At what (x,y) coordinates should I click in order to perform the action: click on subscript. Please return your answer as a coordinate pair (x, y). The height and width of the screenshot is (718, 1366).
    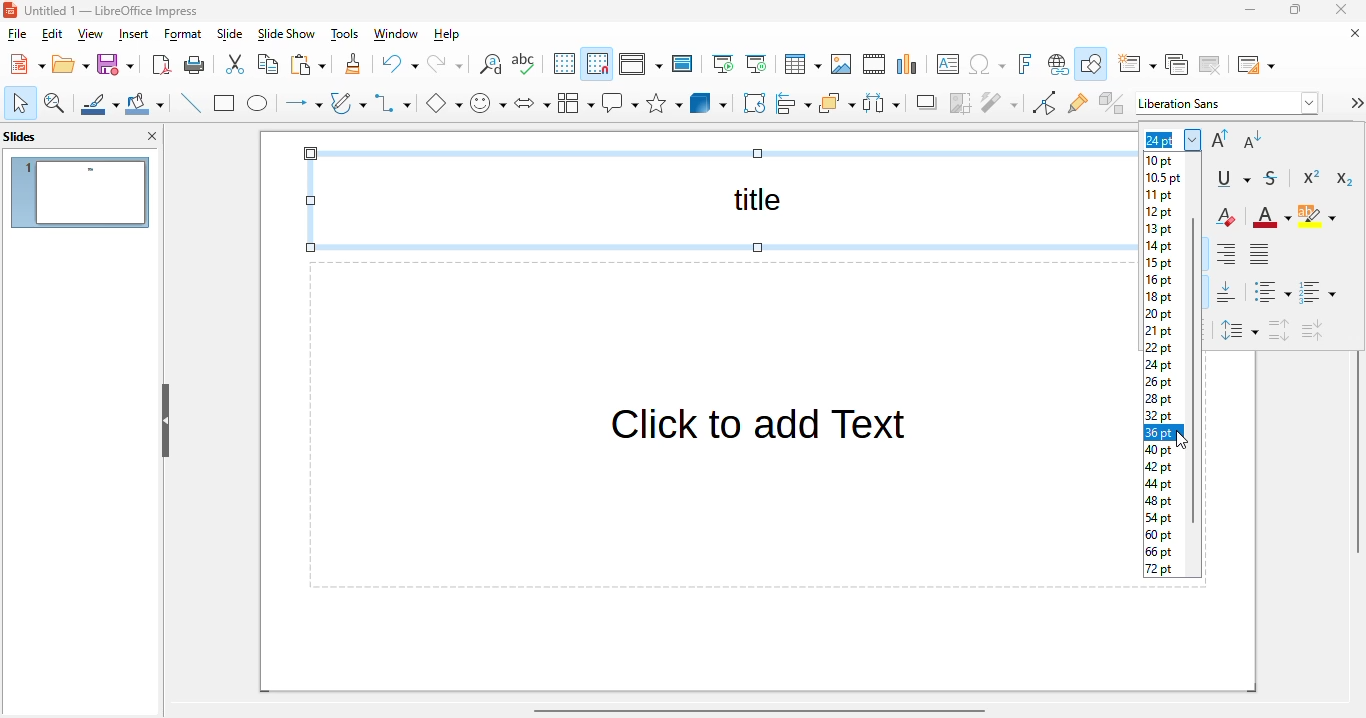
    Looking at the image, I should click on (1344, 178).